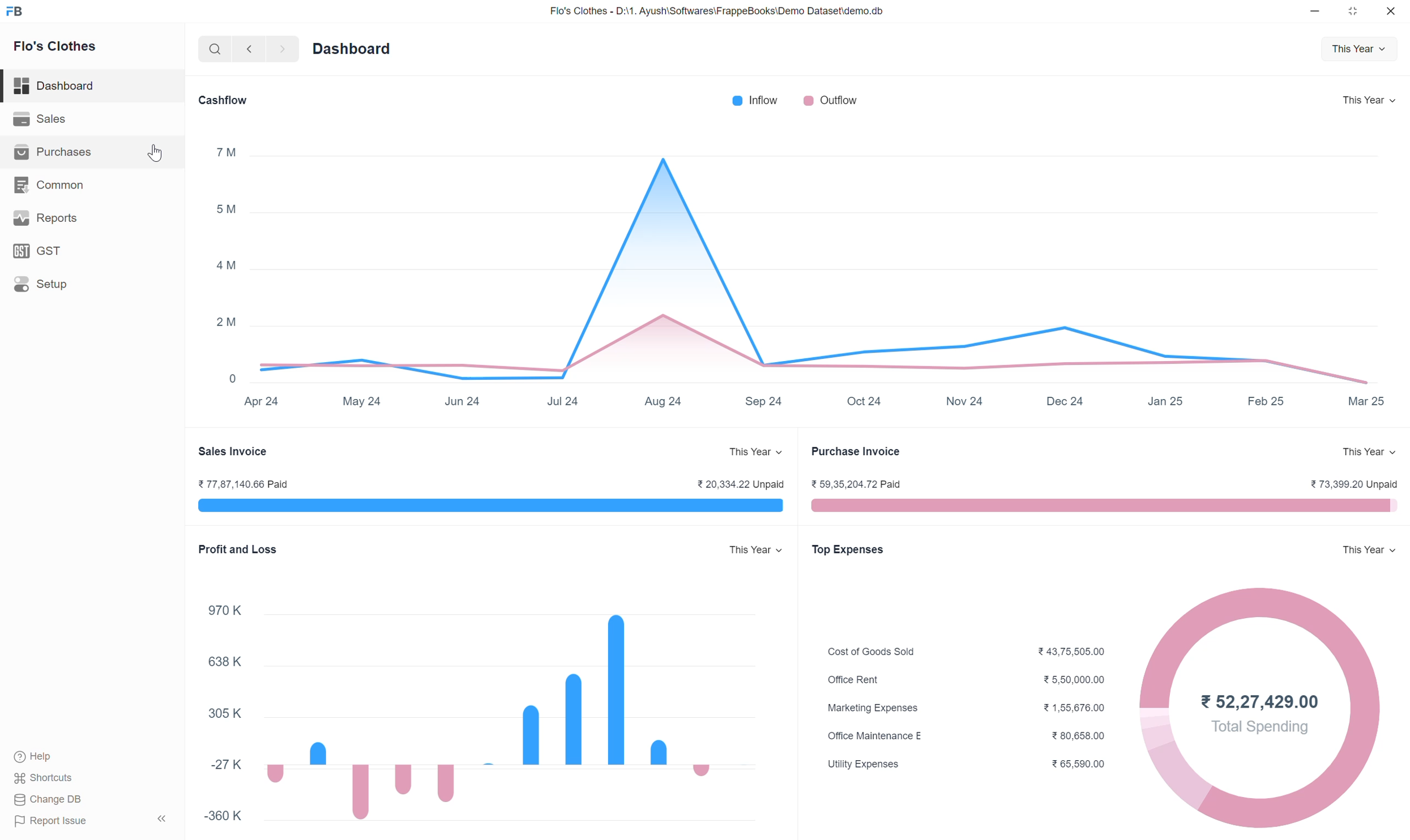  Describe the element at coordinates (748, 452) in the screenshot. I see `This Year v` at that location.